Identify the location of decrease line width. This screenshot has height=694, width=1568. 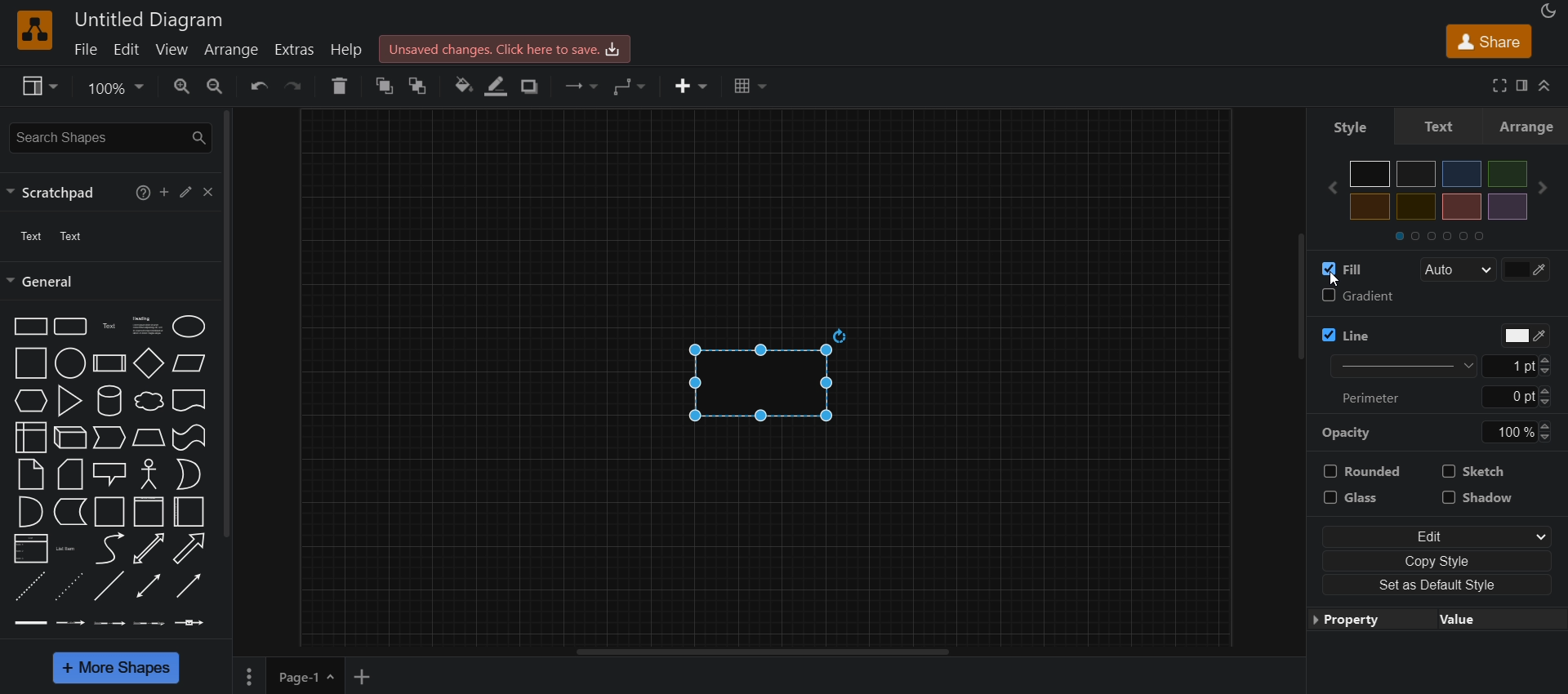
(1550, 371).